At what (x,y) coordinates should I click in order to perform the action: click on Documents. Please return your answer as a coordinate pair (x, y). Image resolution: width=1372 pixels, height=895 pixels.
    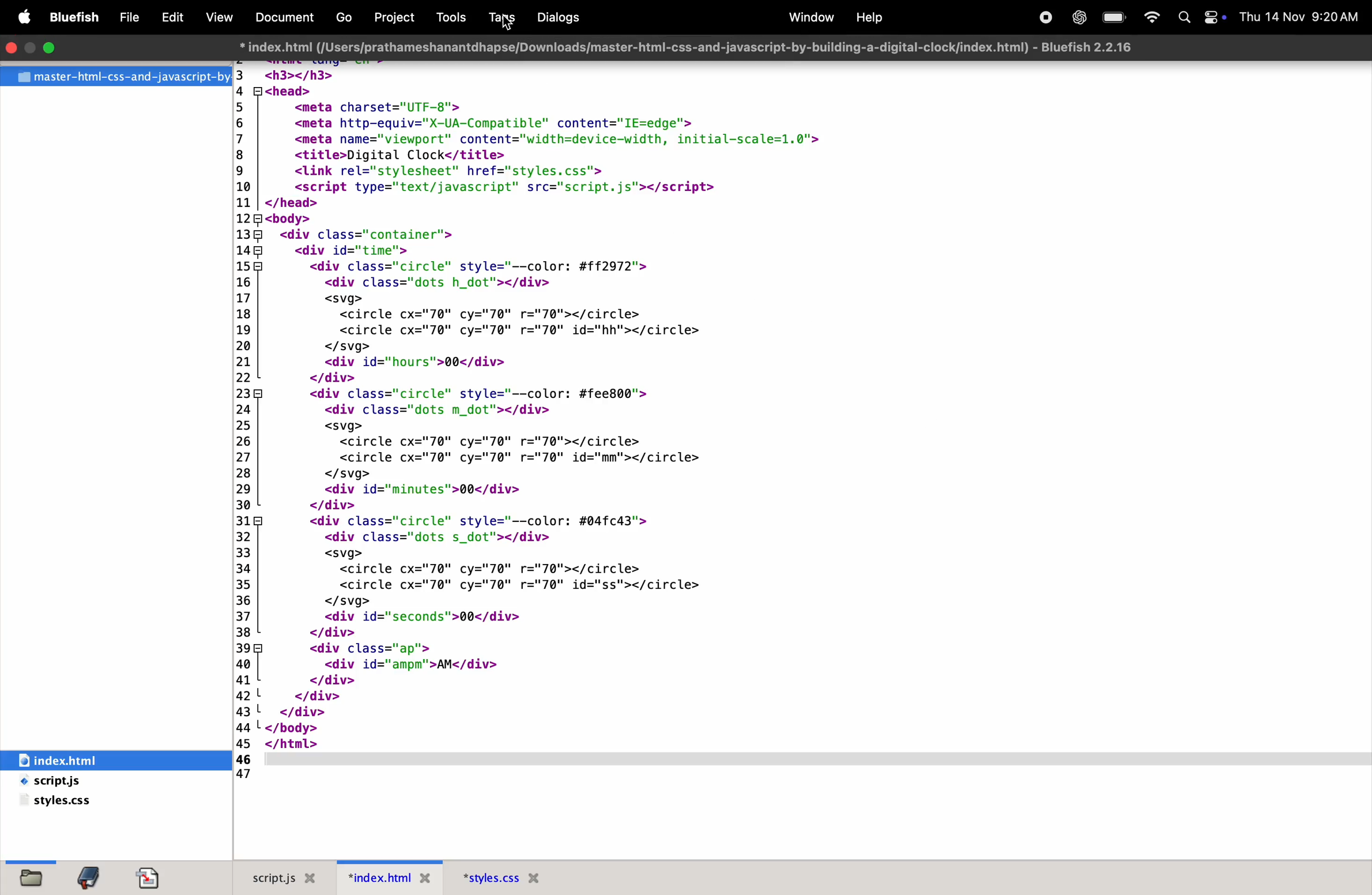
    Looking at the image, I should click on (287, 18).